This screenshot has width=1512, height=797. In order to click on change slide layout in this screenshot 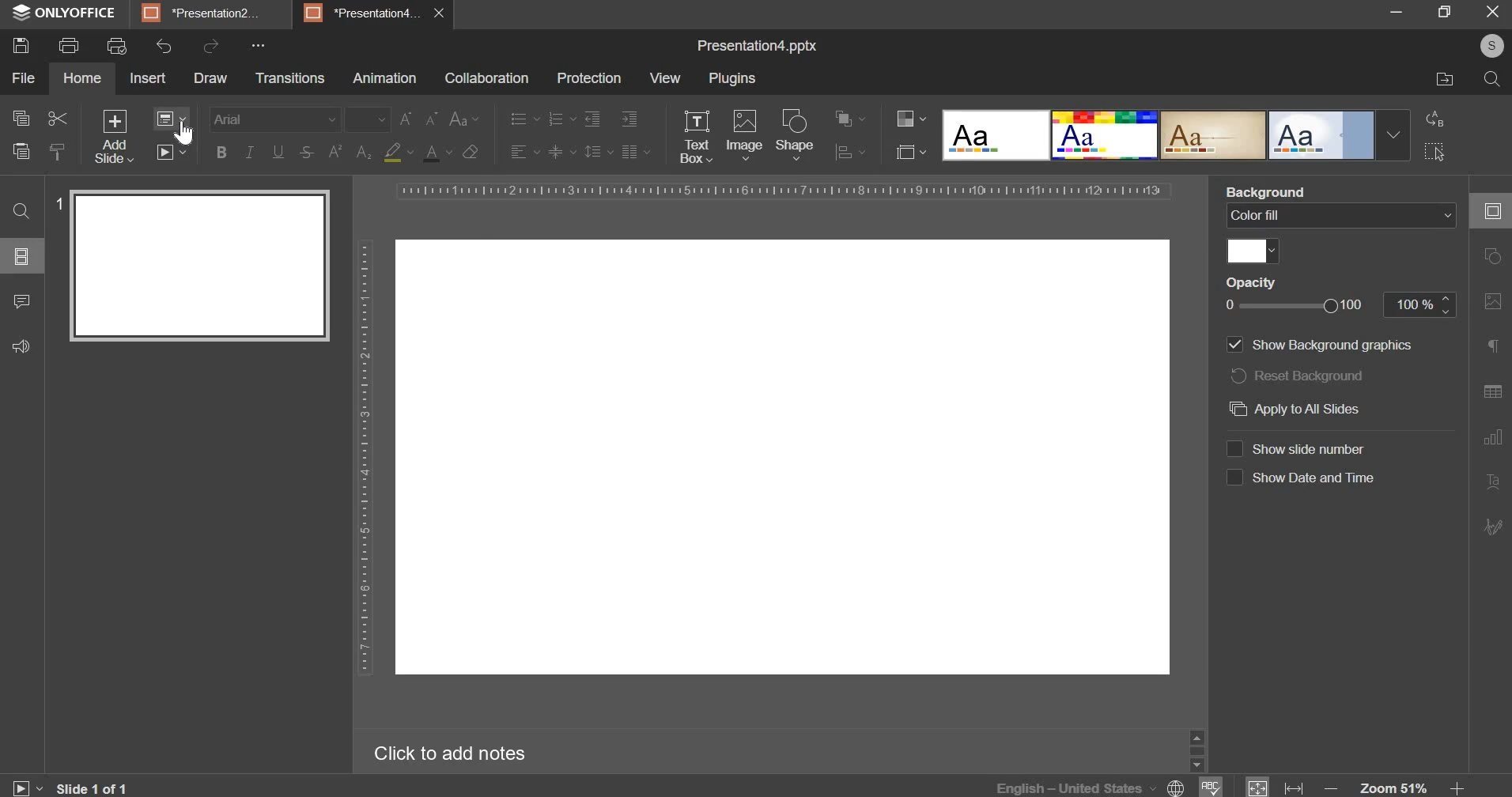, I will do `click(177, 122)`.